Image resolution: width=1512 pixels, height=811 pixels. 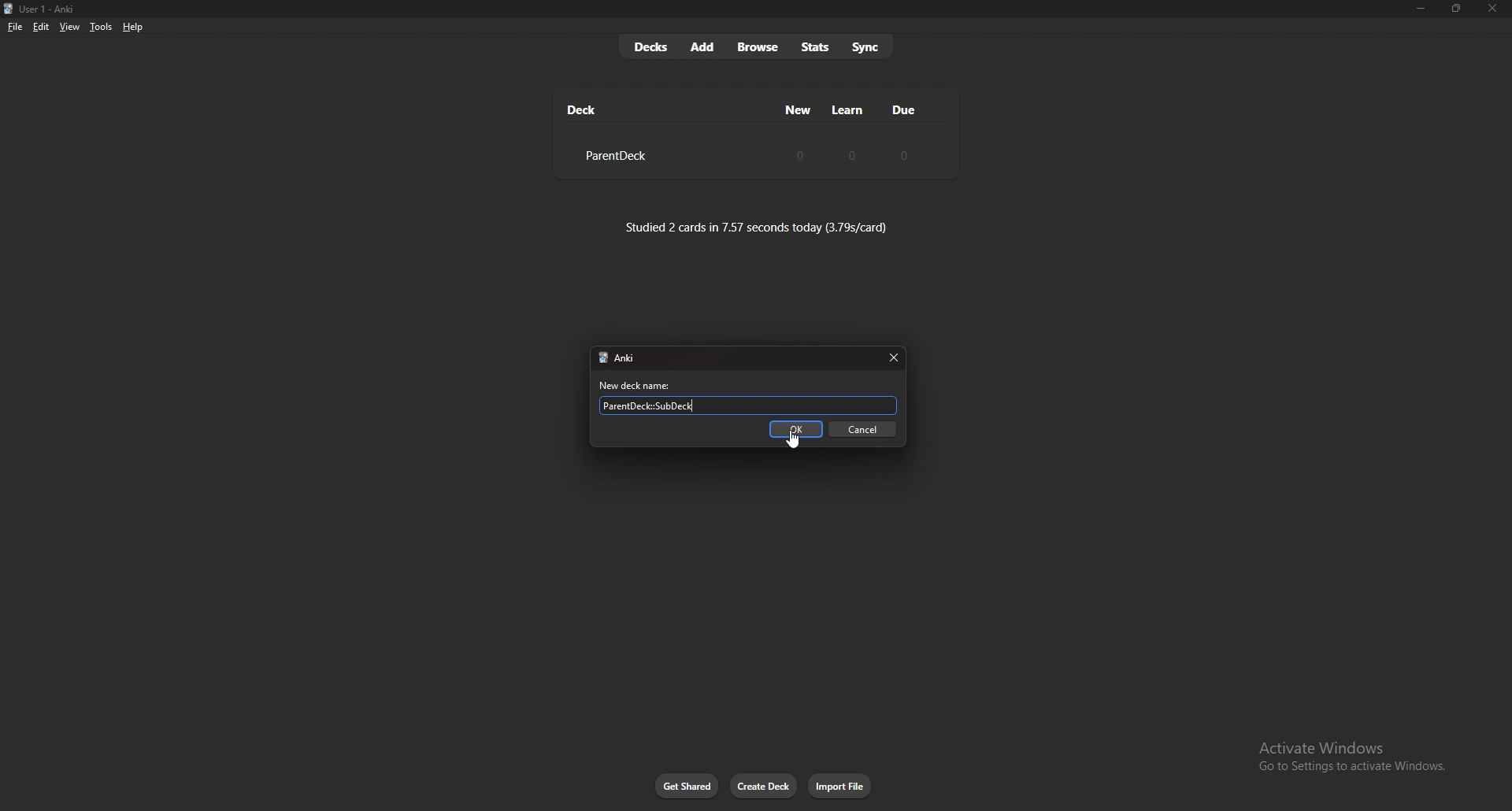 I want to click on get shared, so click(x=687, y=787).